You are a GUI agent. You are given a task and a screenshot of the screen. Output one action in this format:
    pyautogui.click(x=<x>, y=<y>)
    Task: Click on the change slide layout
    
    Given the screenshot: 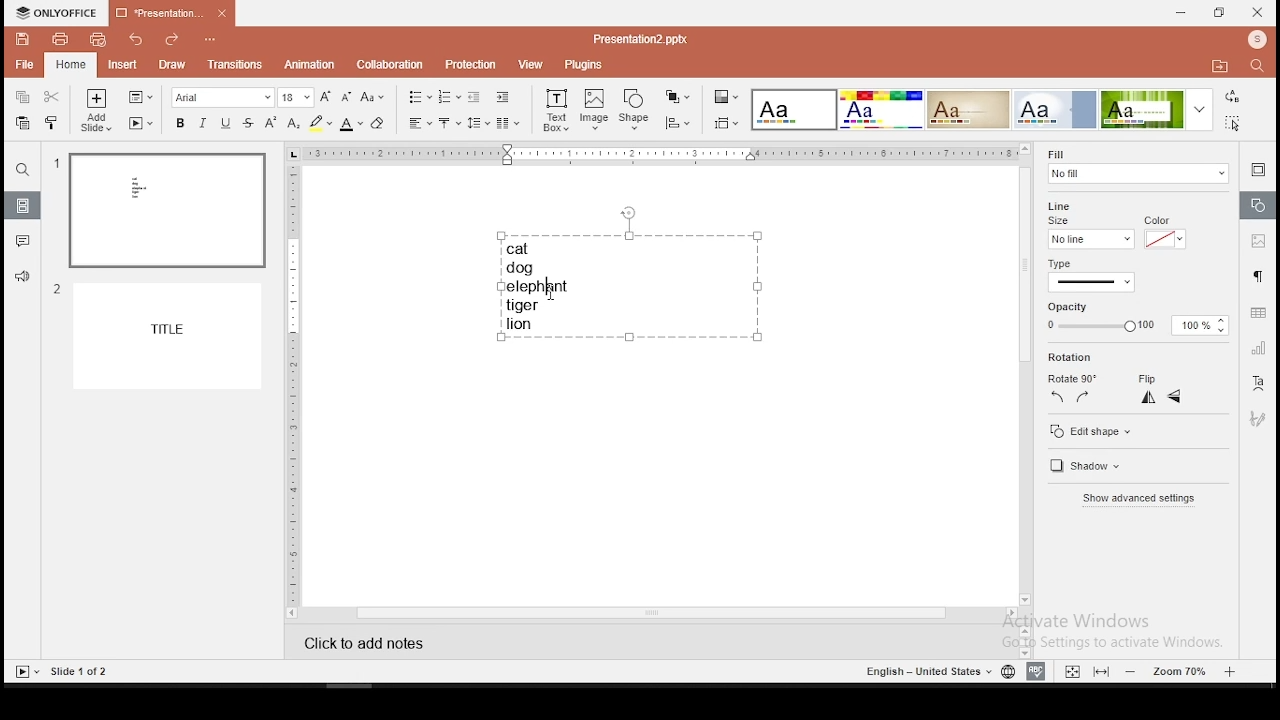 What is the action you would take?
    pyautogui.click(x=140, y=96)
    